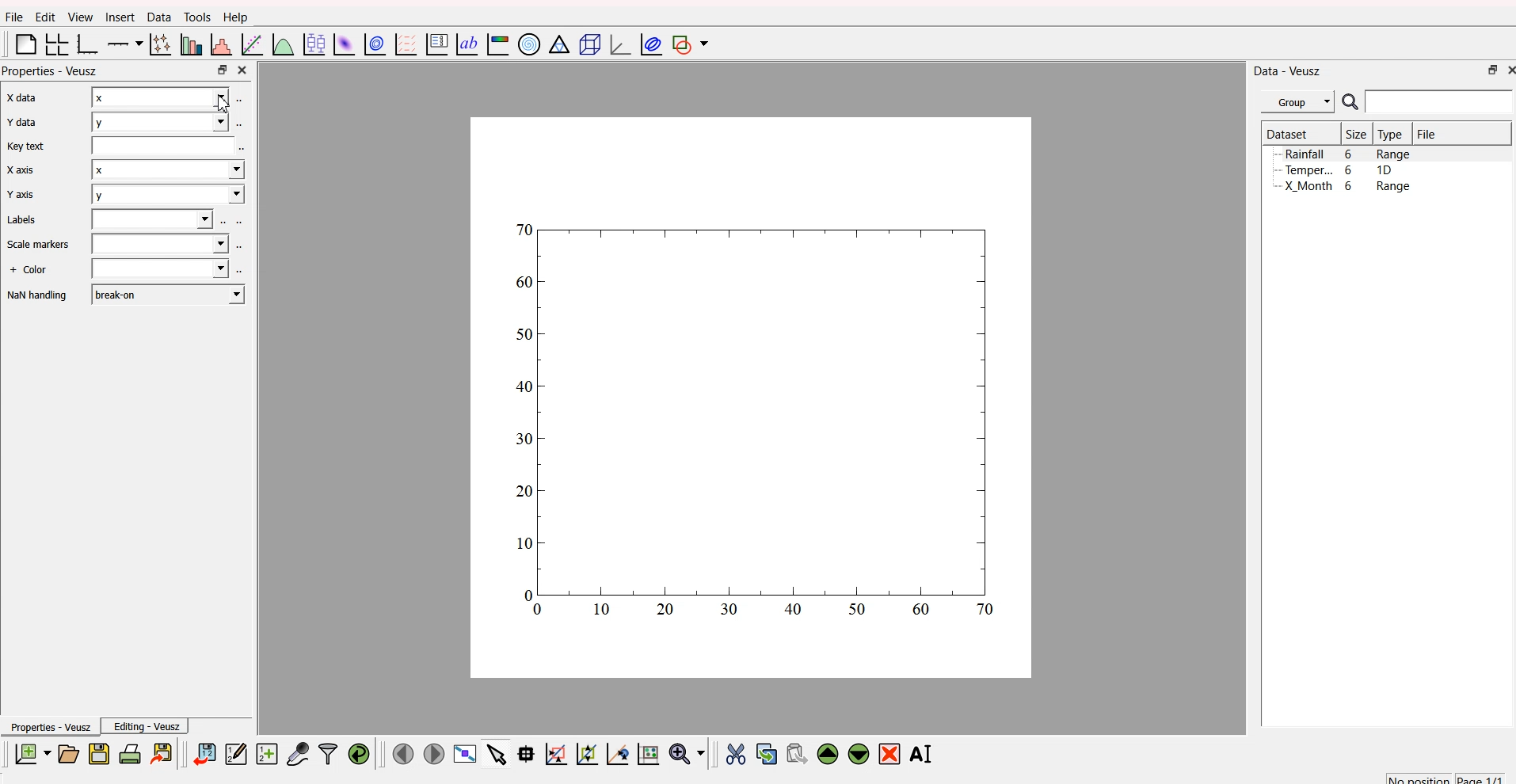 Image resolution: width=1516 pixels, height=784 pixels. Describe the element at coordinates (328, 752) in the screenshot. I see `filter data` at that location.